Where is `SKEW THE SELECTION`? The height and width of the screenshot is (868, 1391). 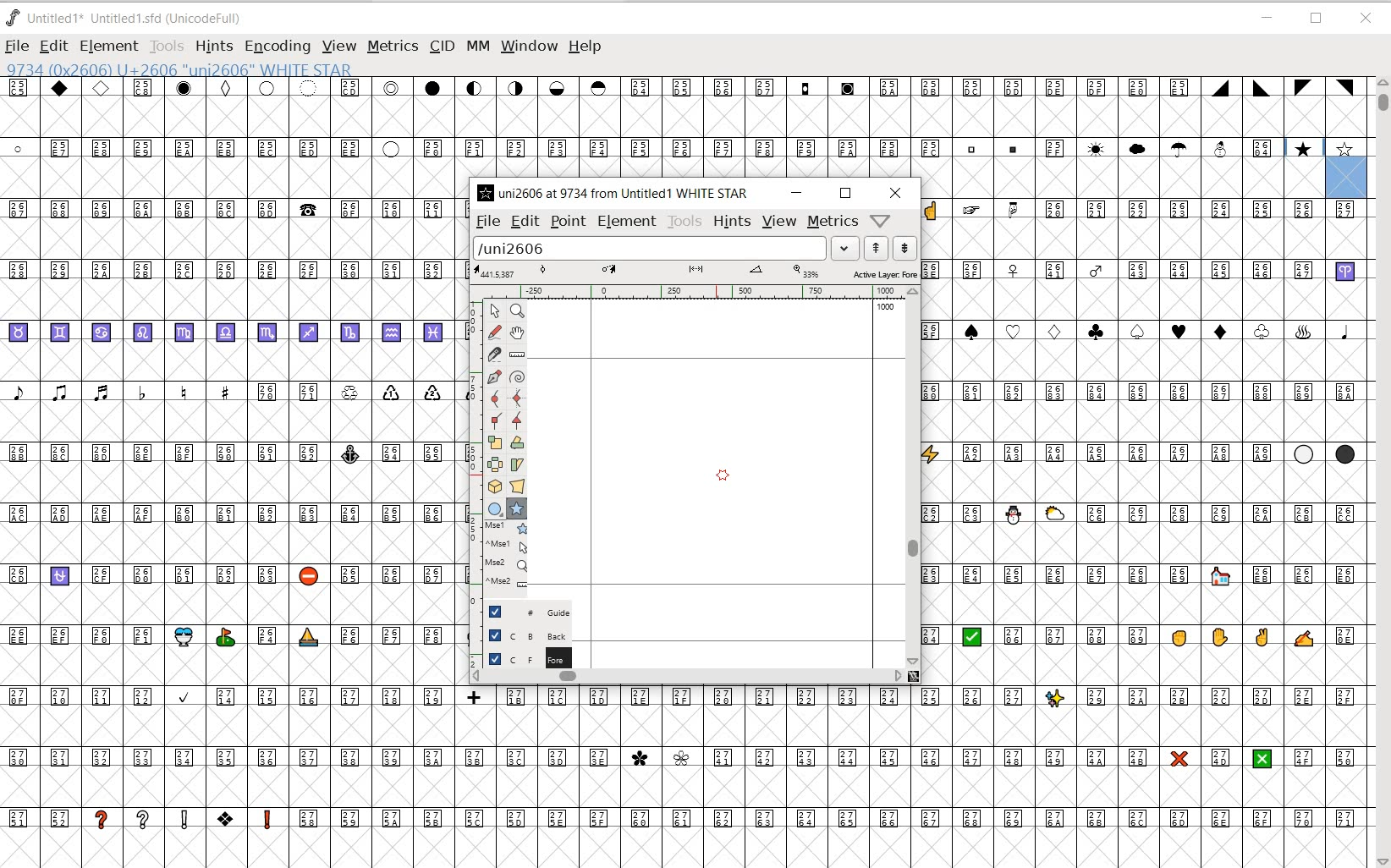
SKEW THE SELECTION is located at coordinates (519, 465).